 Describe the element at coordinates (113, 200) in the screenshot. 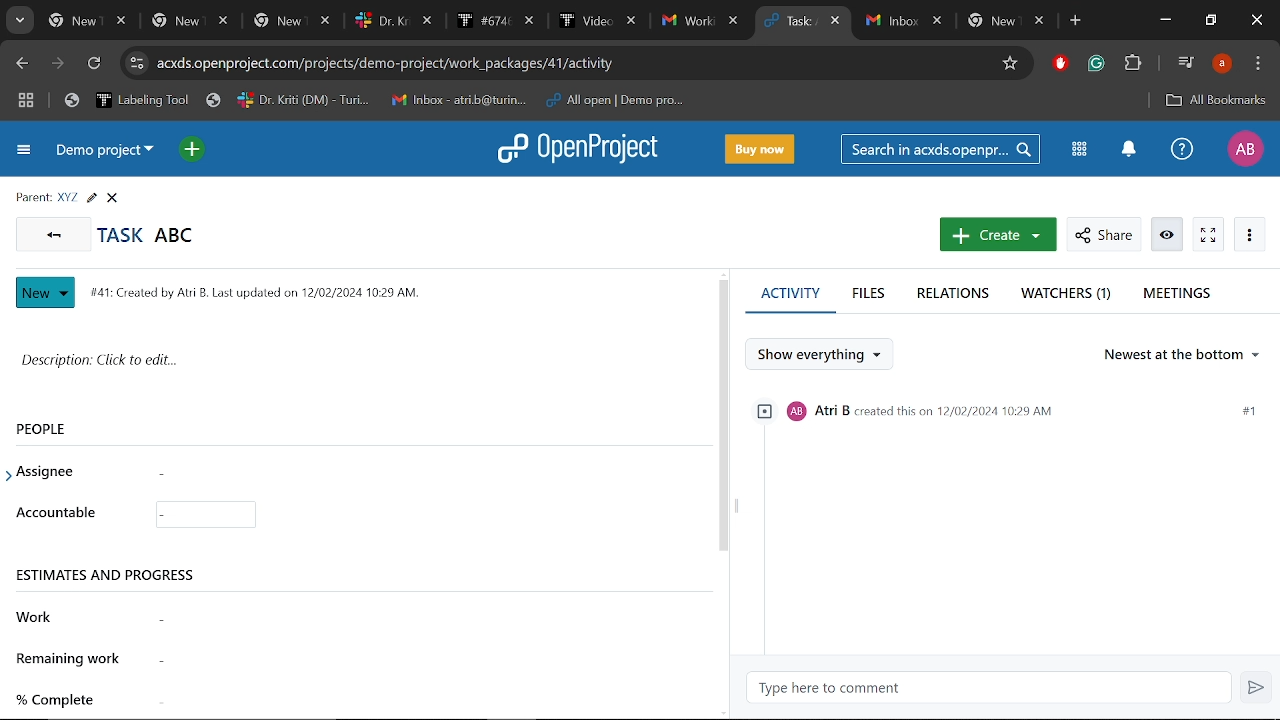

I see `Close` at that location.